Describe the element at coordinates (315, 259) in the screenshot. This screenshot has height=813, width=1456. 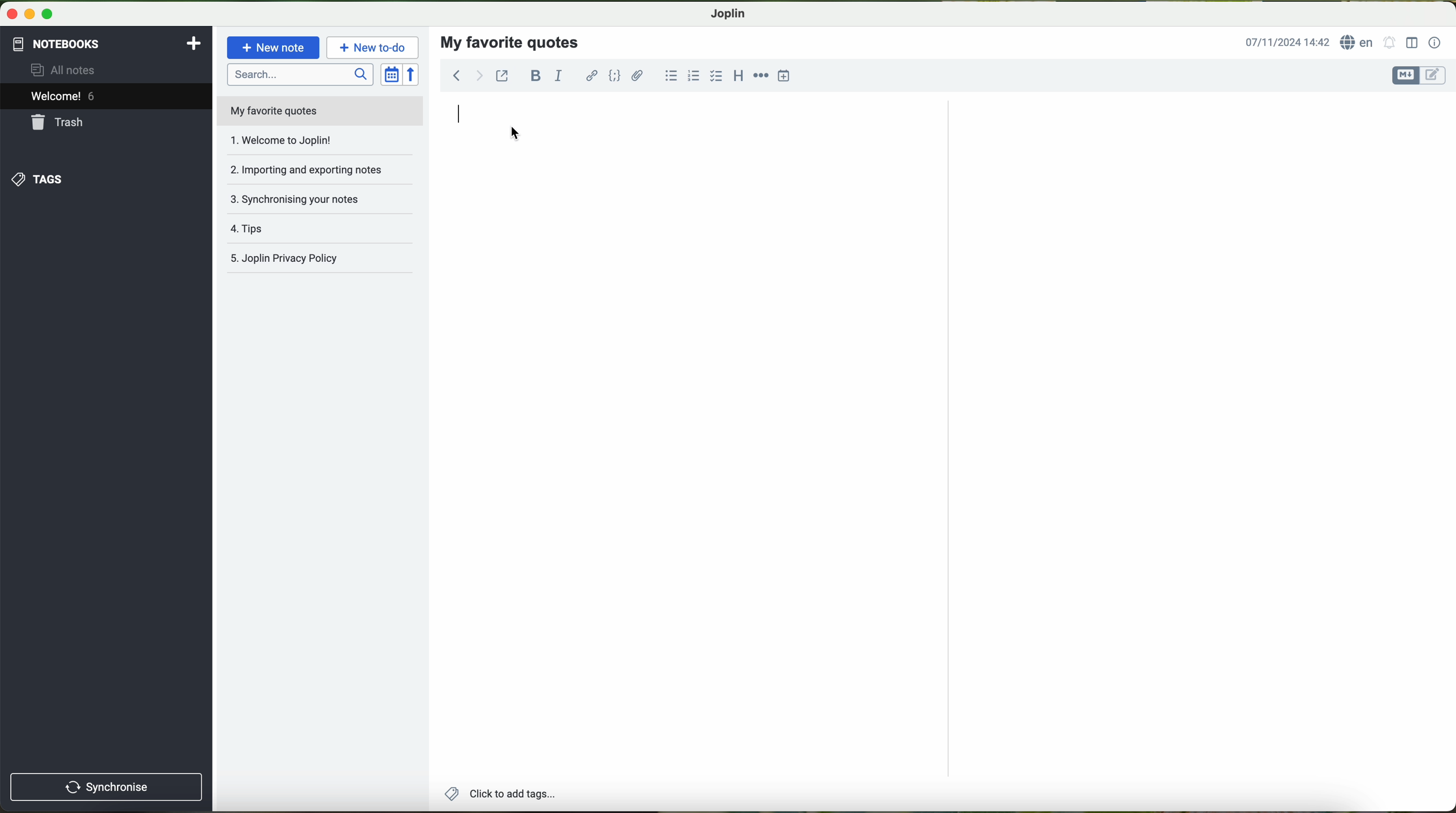
I see `Joplin privacy policy` at that location.